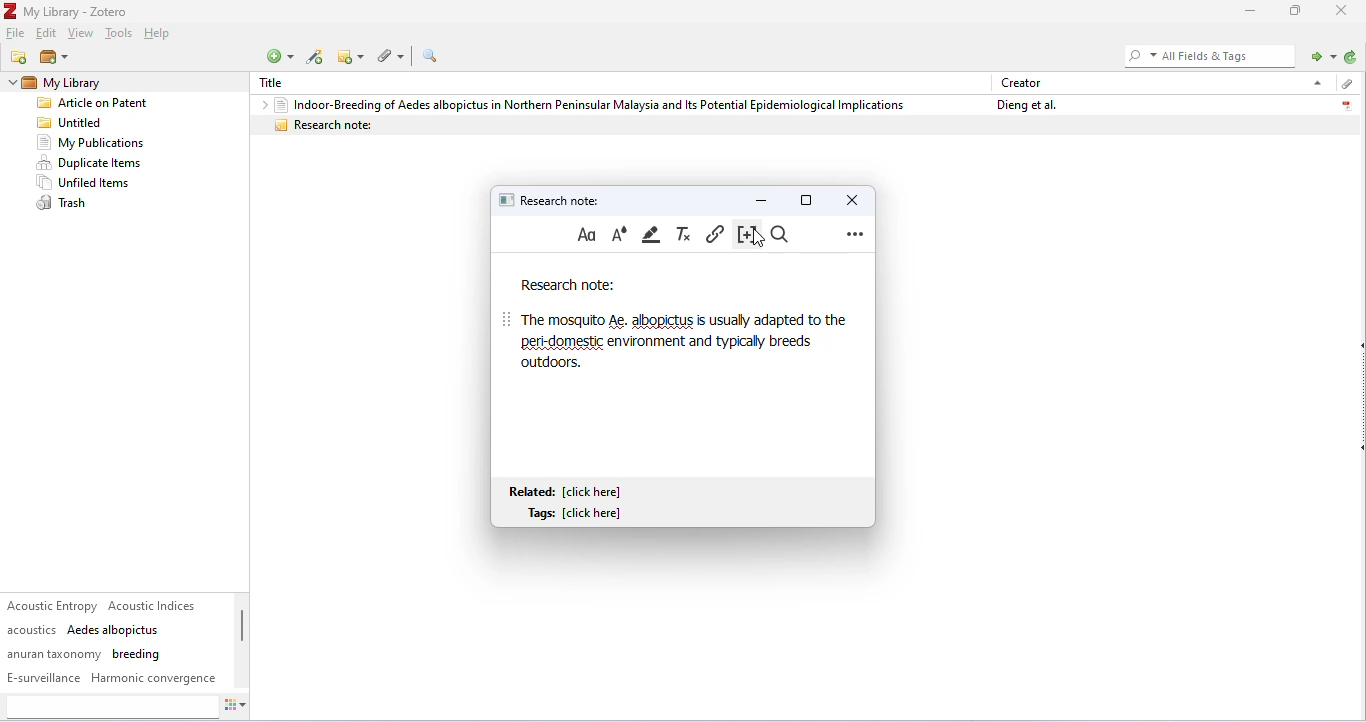 This screenshot has height=722, width=1366. Describe the element at coordinates (1022, 82) in the screenshot. I see `creator` at that location.